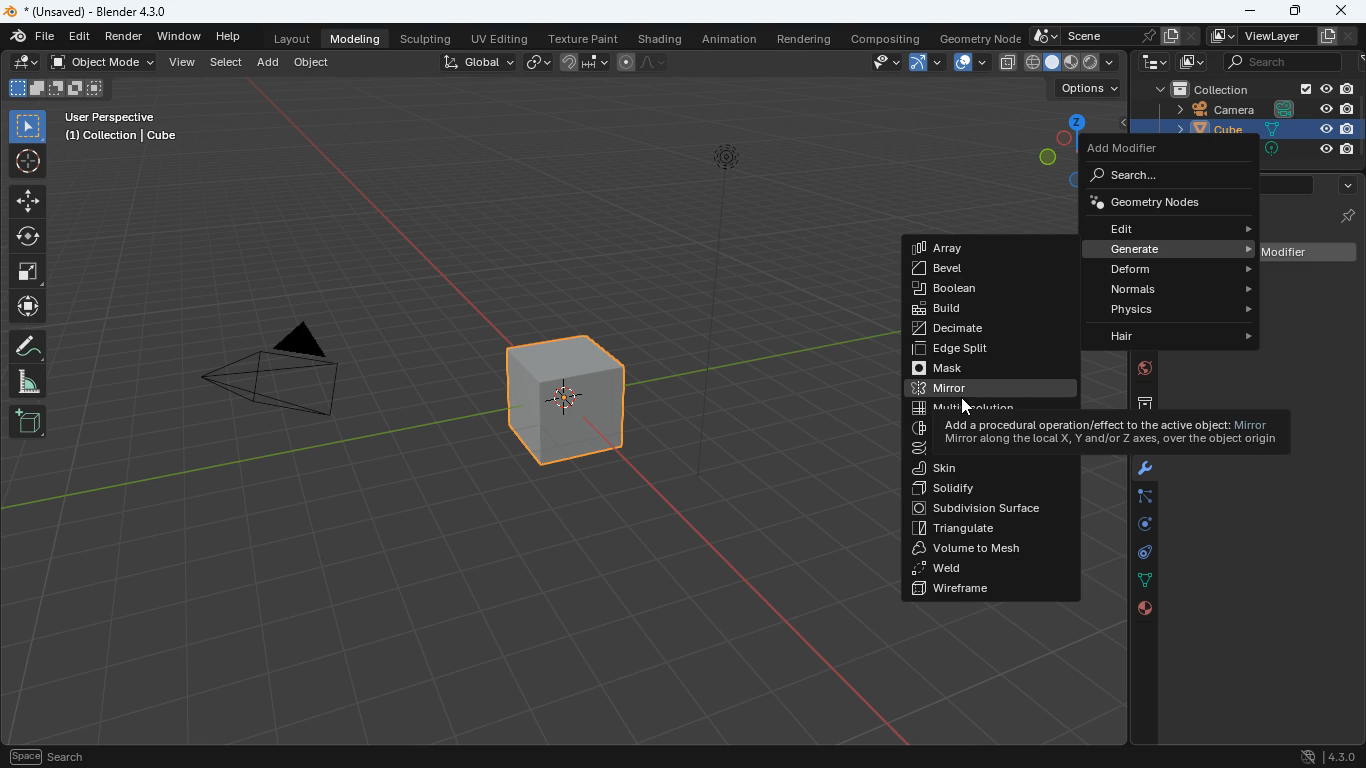  I want to click on rotate, so click(1141, 528).